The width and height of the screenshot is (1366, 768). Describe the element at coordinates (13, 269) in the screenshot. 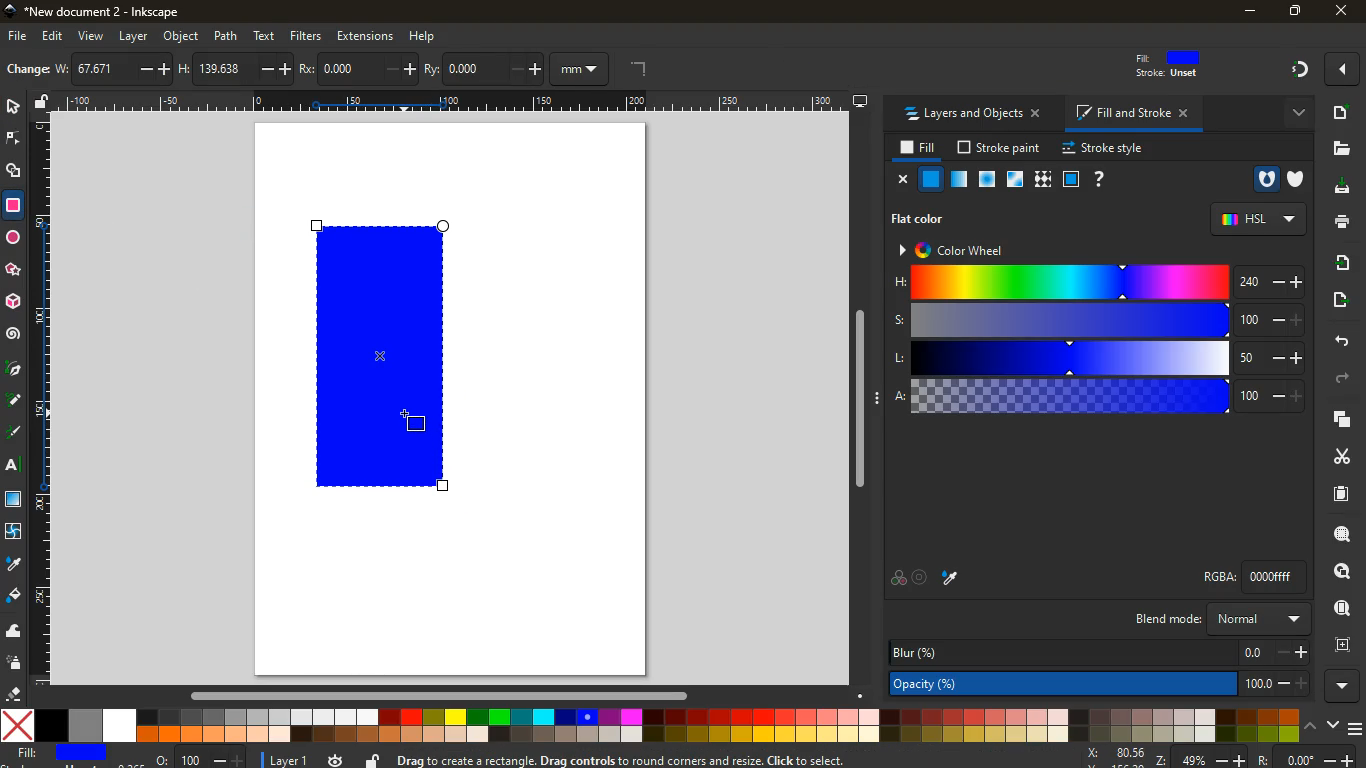

I see `` at that location.